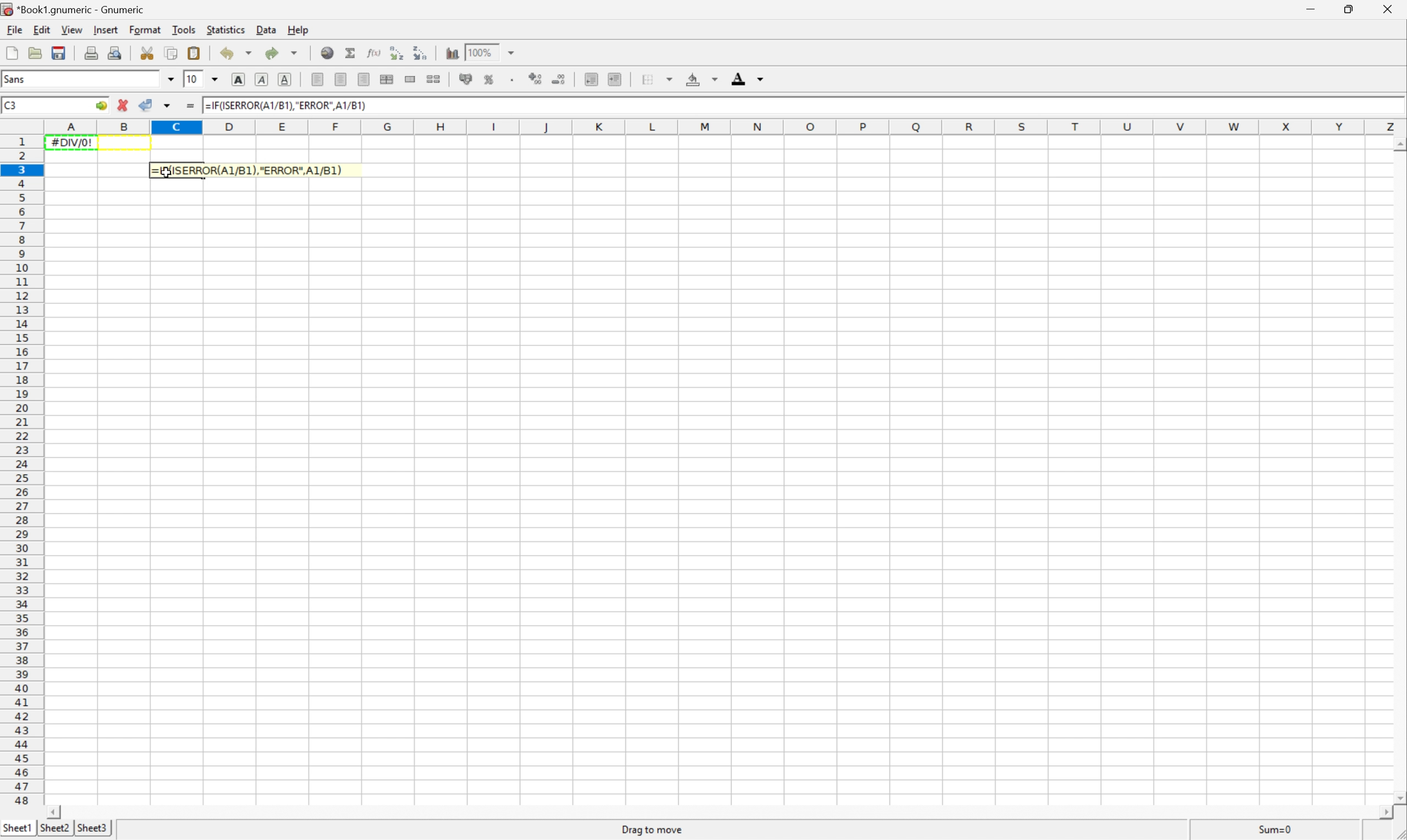 This screenshot has height=840, width=1407. I want to click on Drag to move, so click(653, 829).